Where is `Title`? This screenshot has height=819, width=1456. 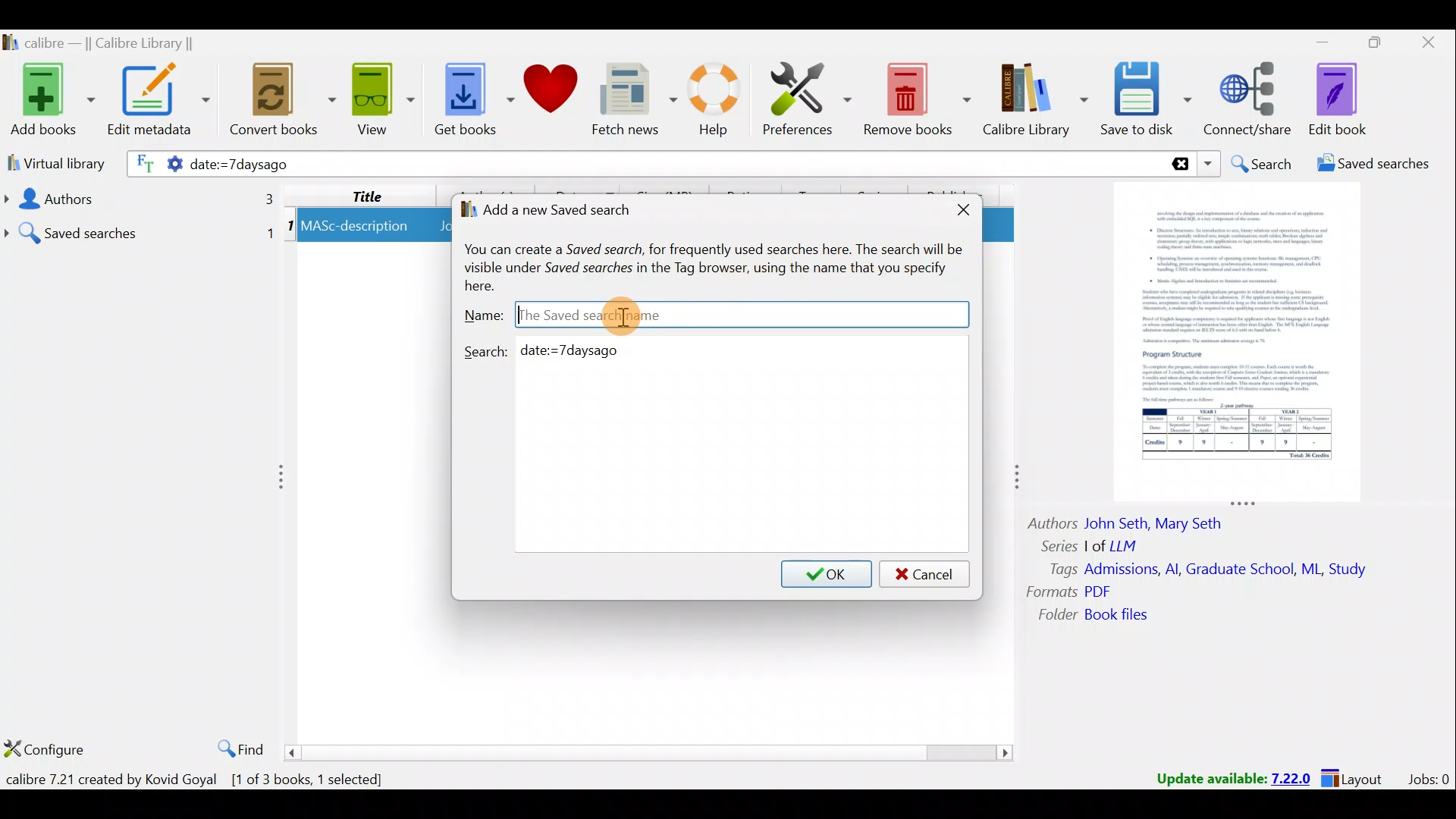 Title is located at coordinates (368, 195).